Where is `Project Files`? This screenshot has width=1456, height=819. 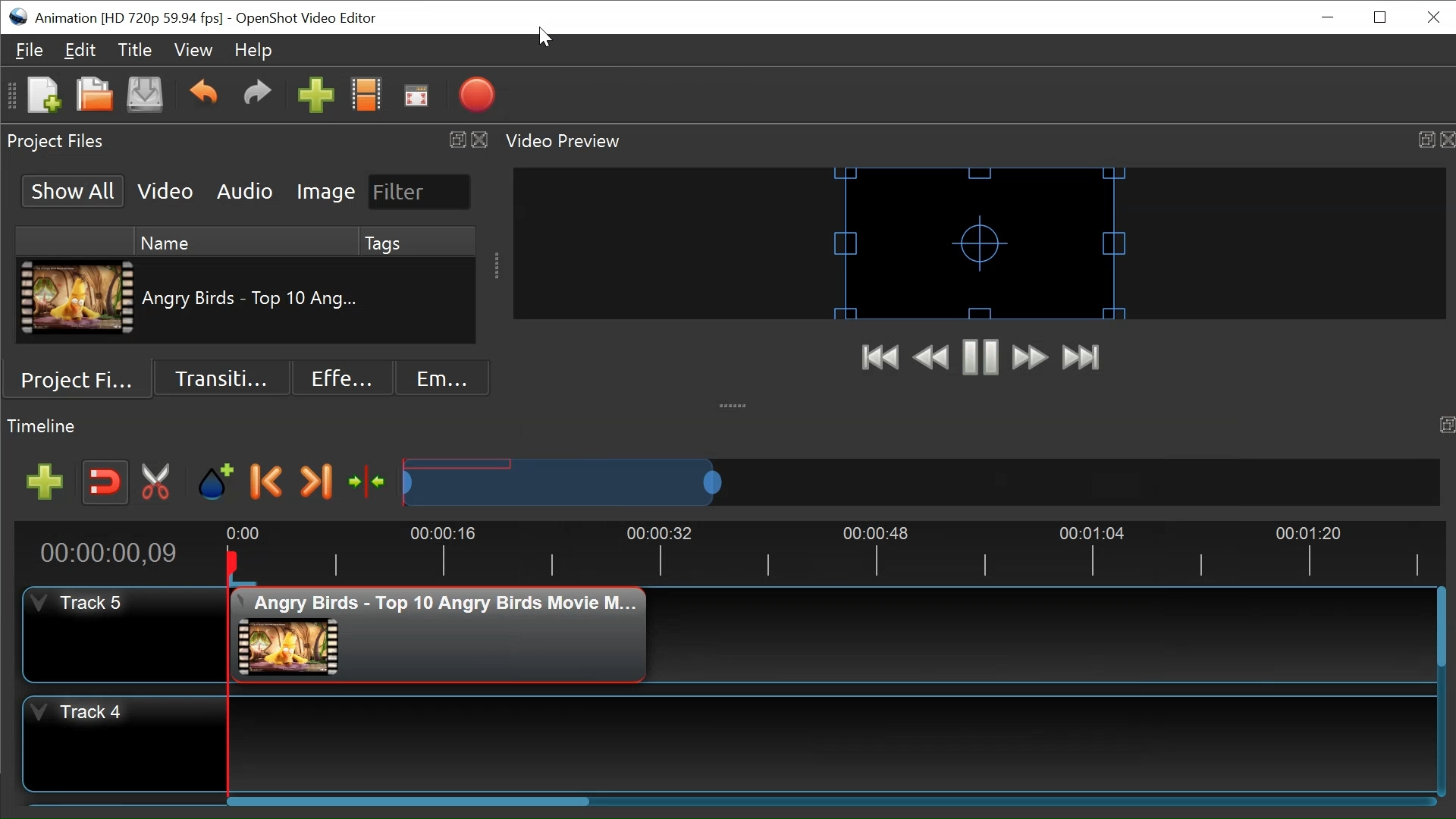
Project Files is located at coordinates (83, 378).